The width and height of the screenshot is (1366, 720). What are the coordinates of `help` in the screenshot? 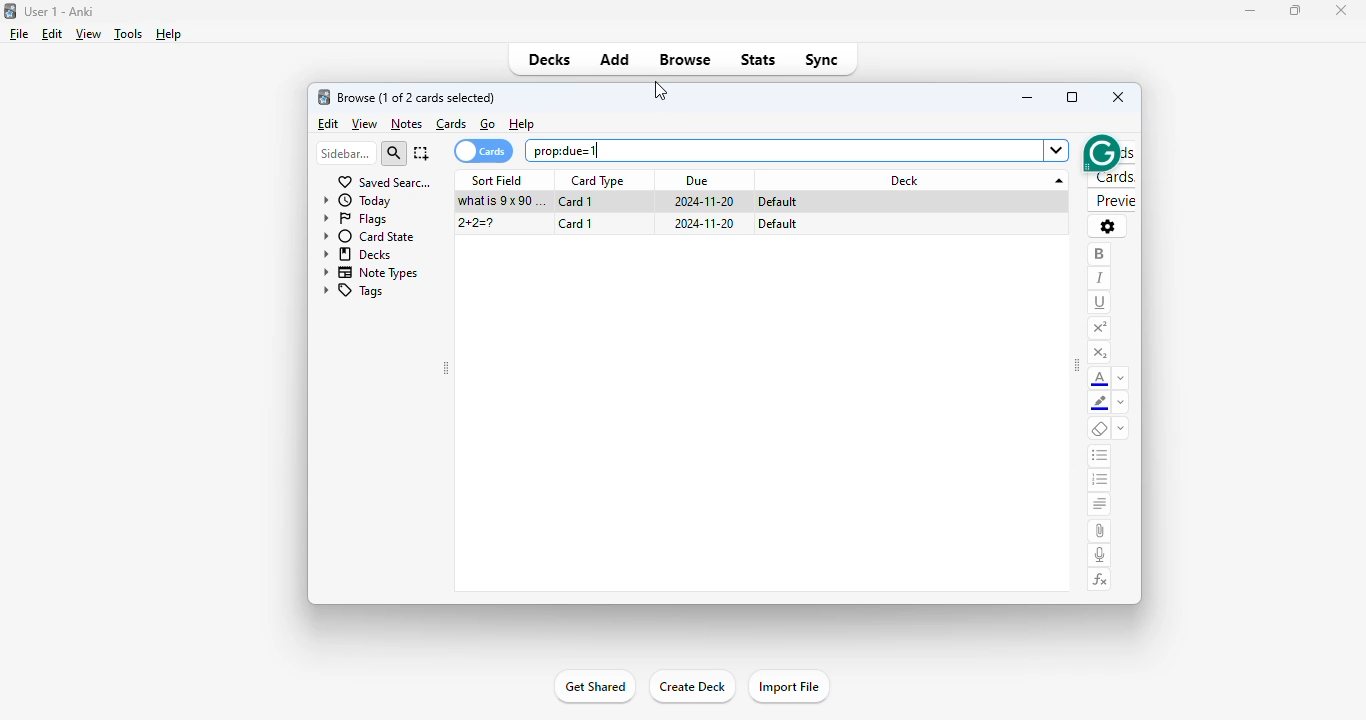 It's located at (168, 34).